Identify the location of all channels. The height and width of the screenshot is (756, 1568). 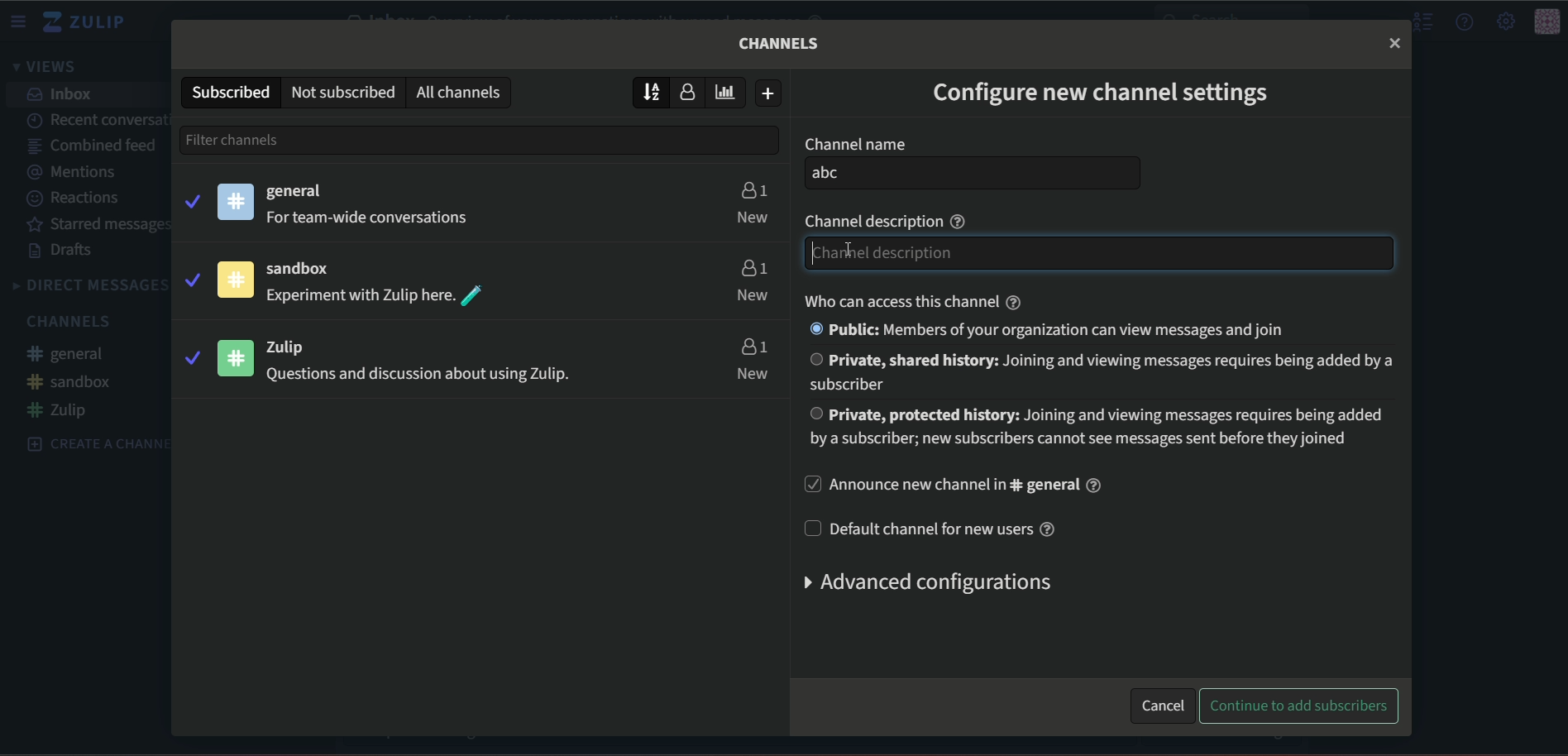
(462, 92).